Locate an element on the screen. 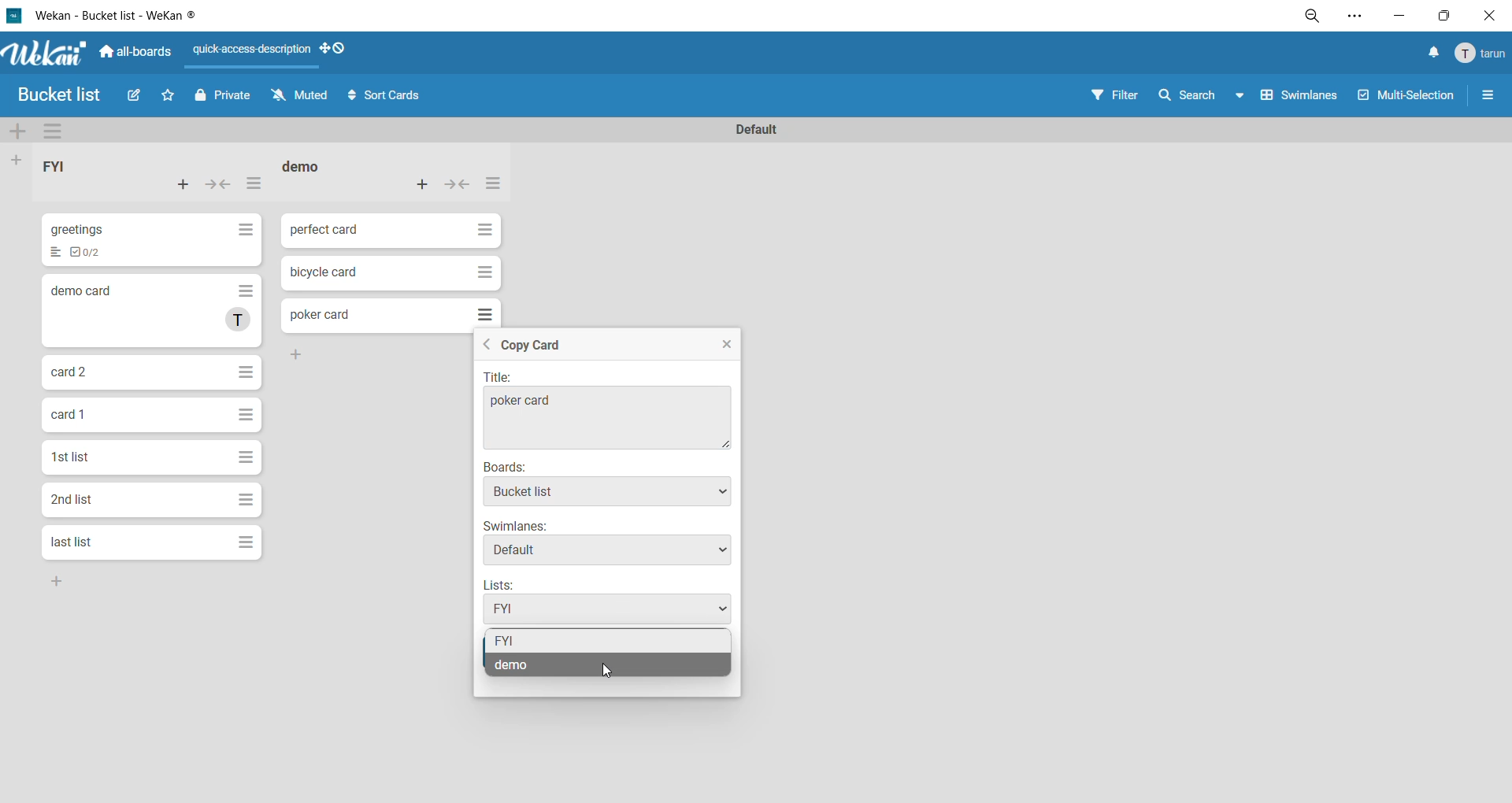  FYI is located at coordinates (608, 609).